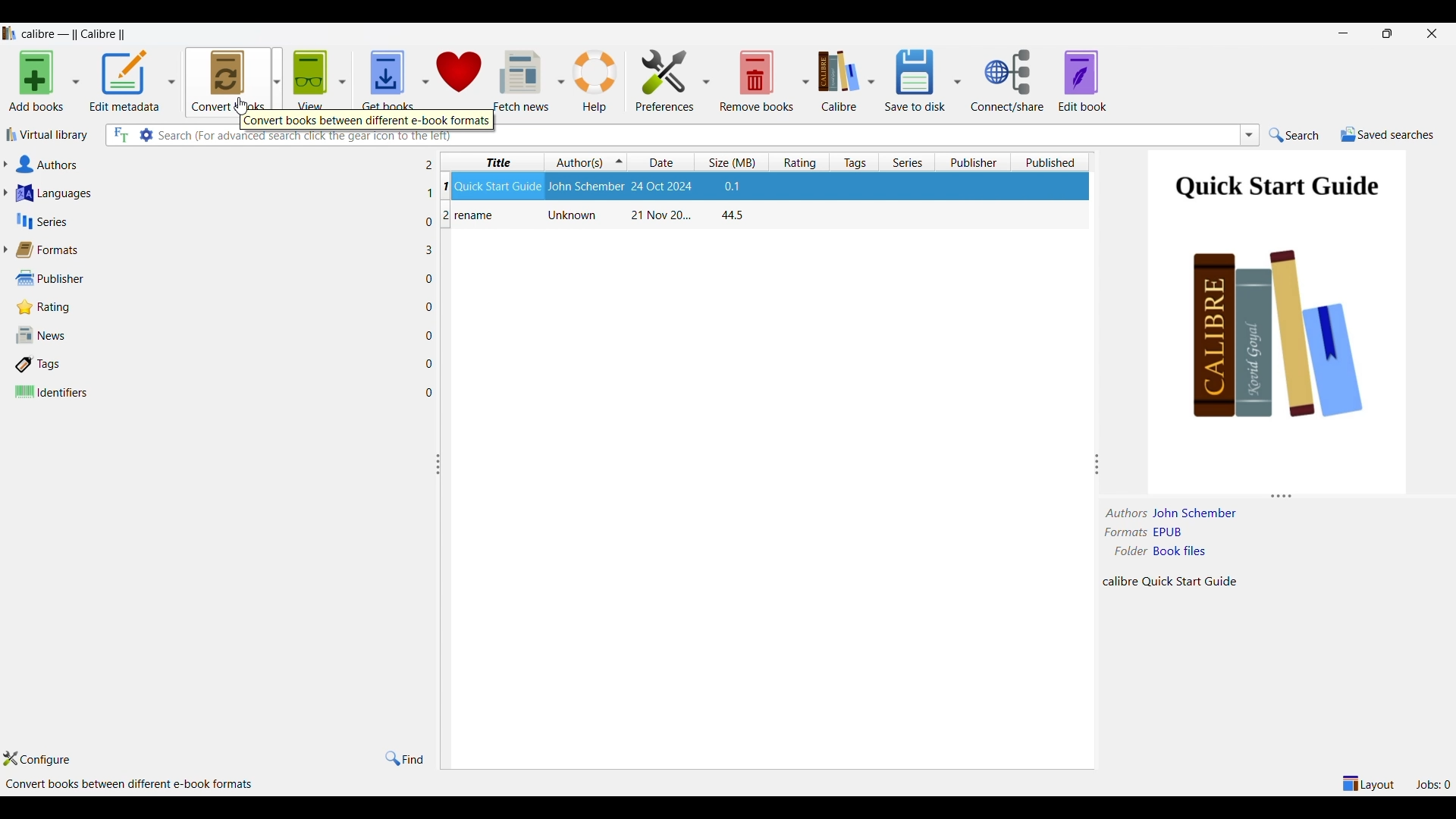 This screenshot has height=819, width=1456. I want to click on Rating column, so click(799, 162).